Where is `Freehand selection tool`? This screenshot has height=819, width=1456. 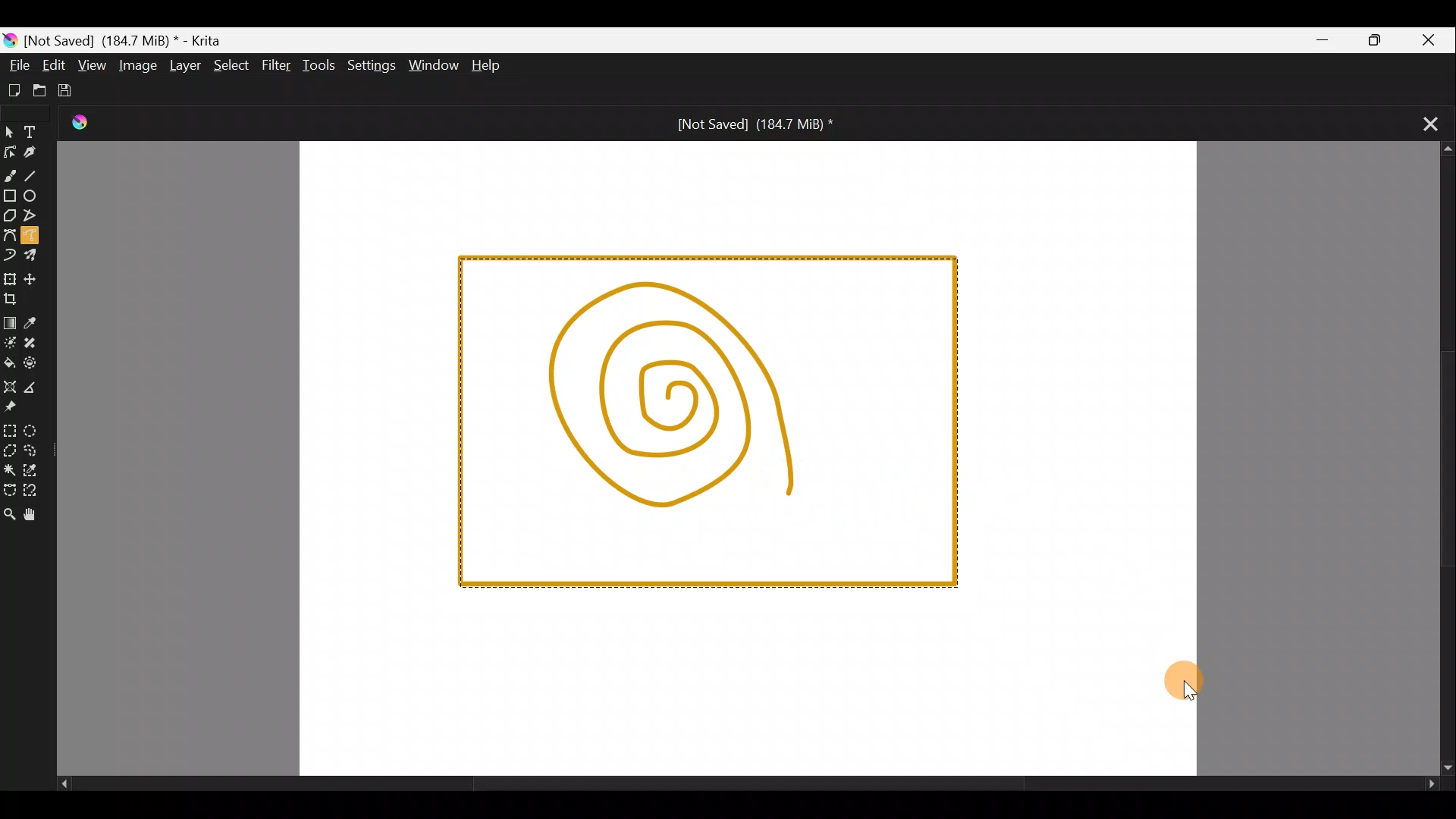
Freehand selection tool is located at coordinates (39, 453).